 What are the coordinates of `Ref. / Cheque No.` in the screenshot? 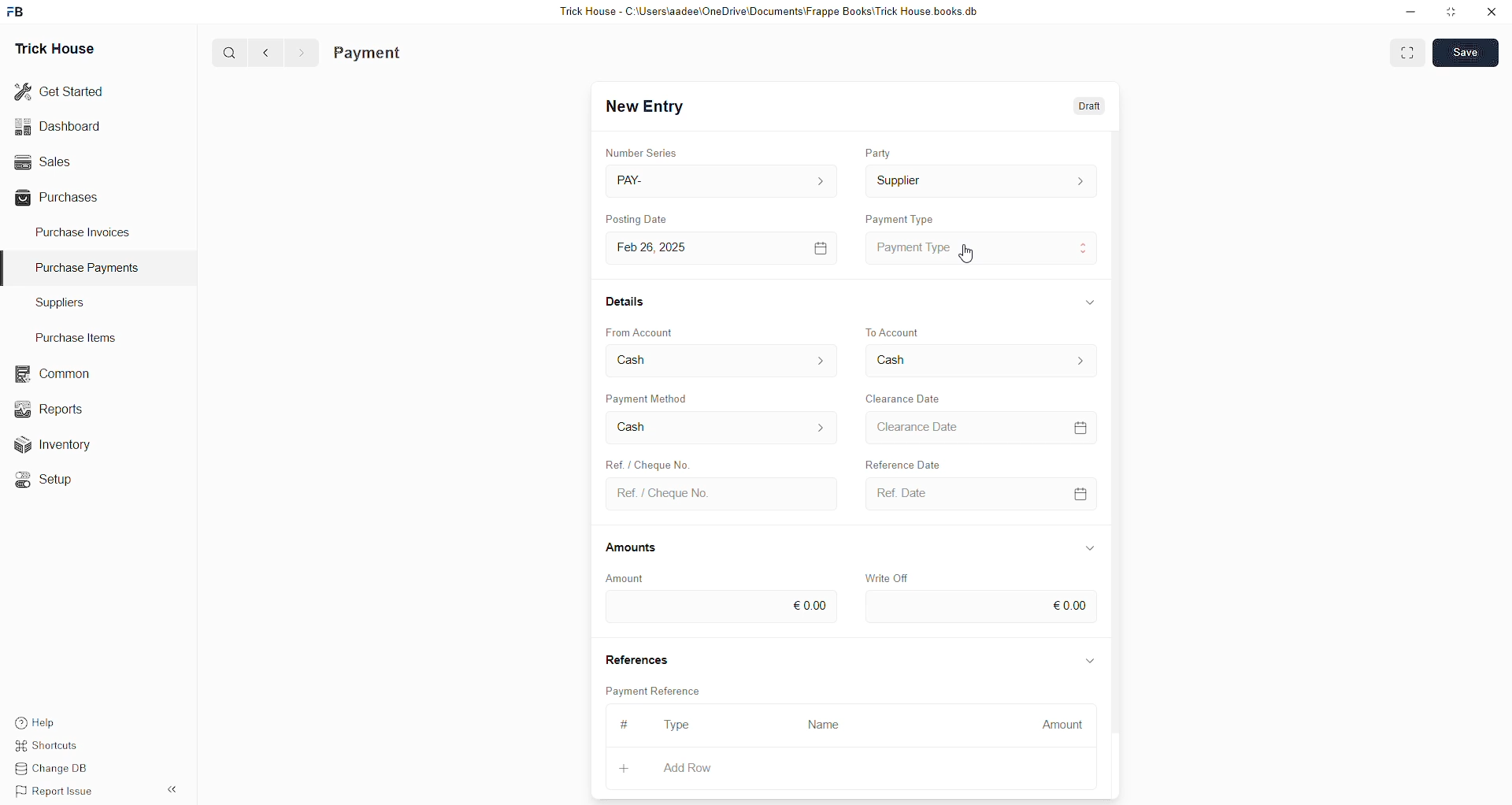 It's located at (719, 492).